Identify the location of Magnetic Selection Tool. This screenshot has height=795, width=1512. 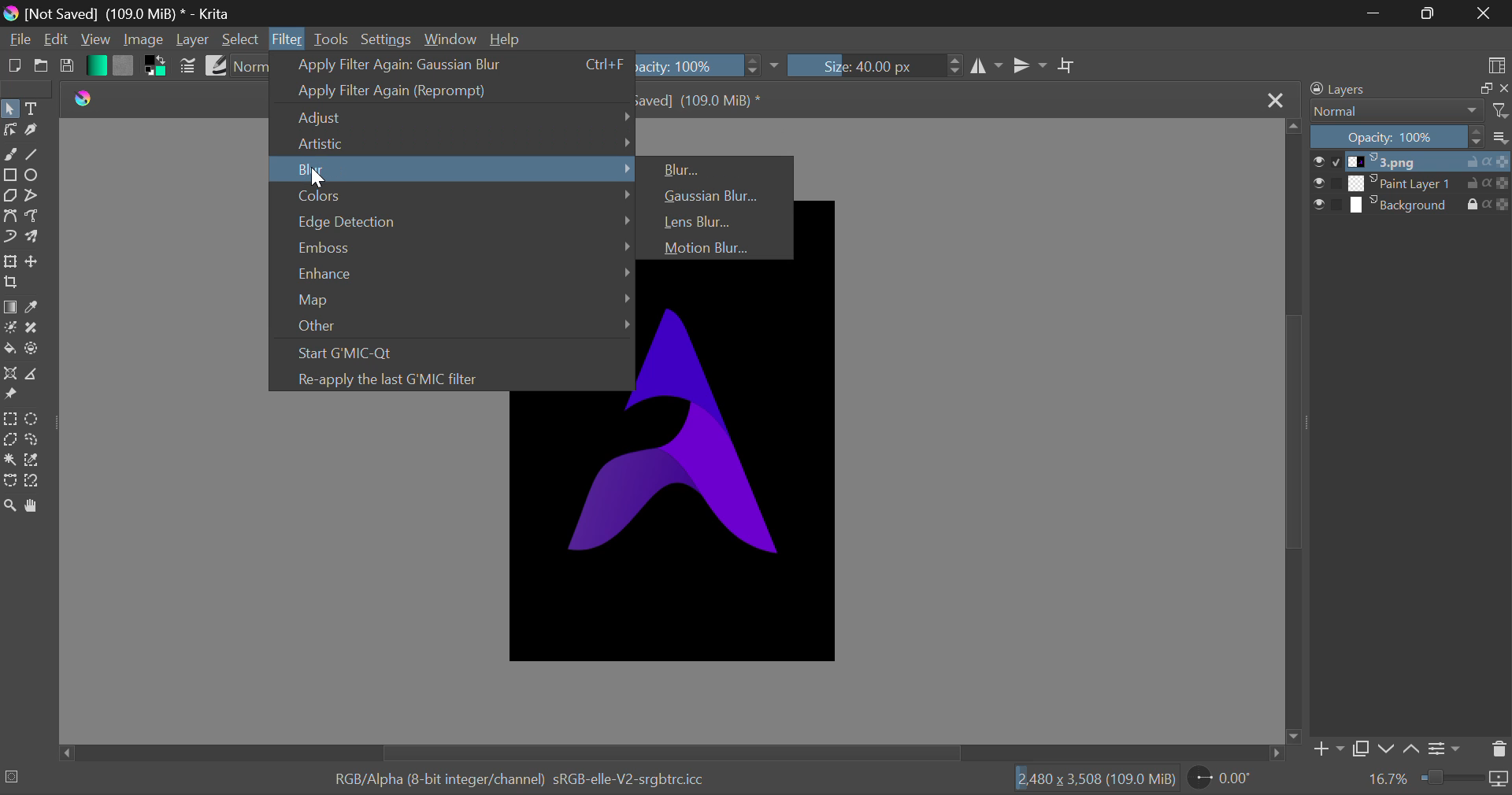
(33, 484).